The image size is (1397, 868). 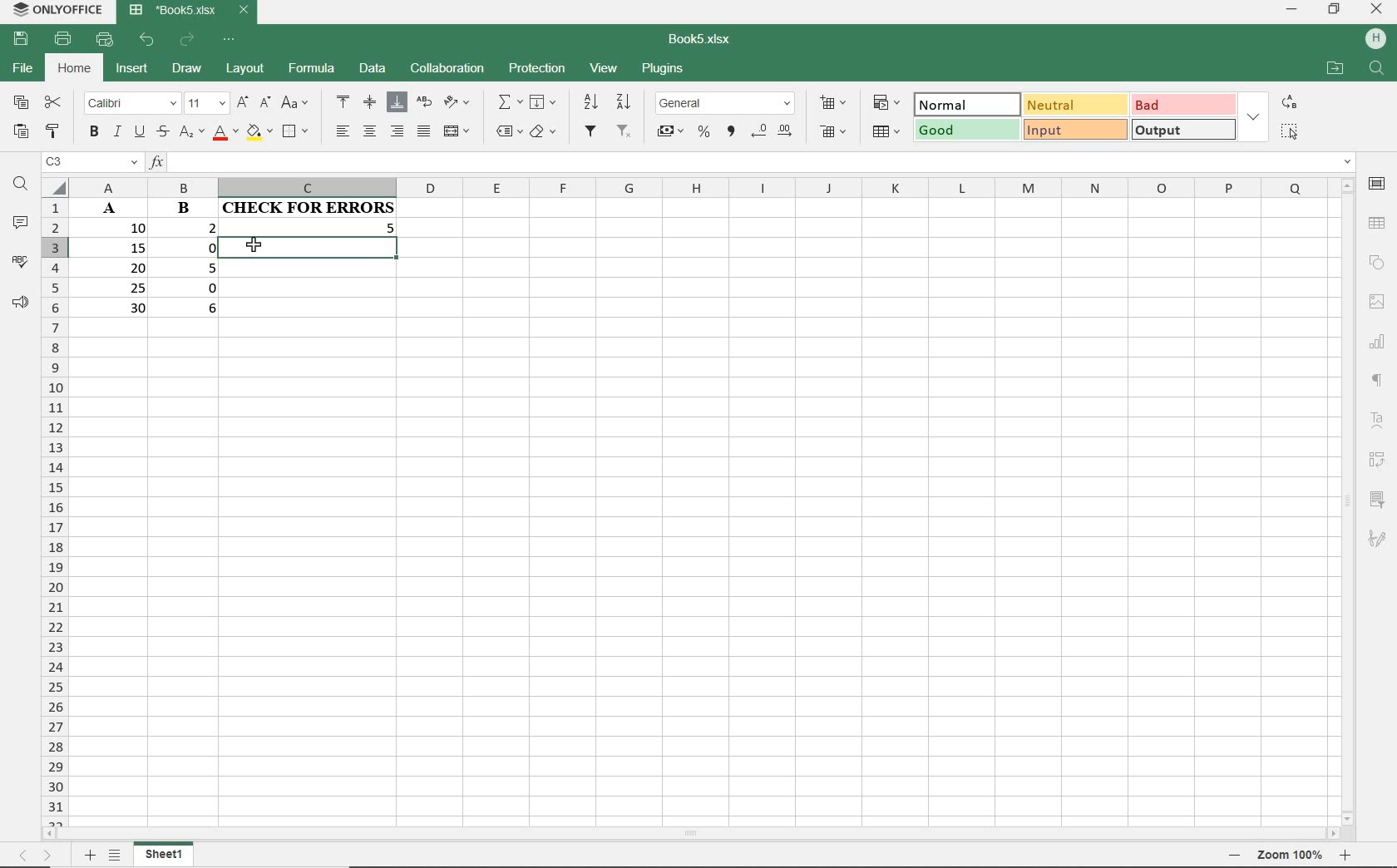 What do you see at coordinates (1350, 501) in the screenshot?
I see `SCROLLBAR` at bounding box center [1350, 501].